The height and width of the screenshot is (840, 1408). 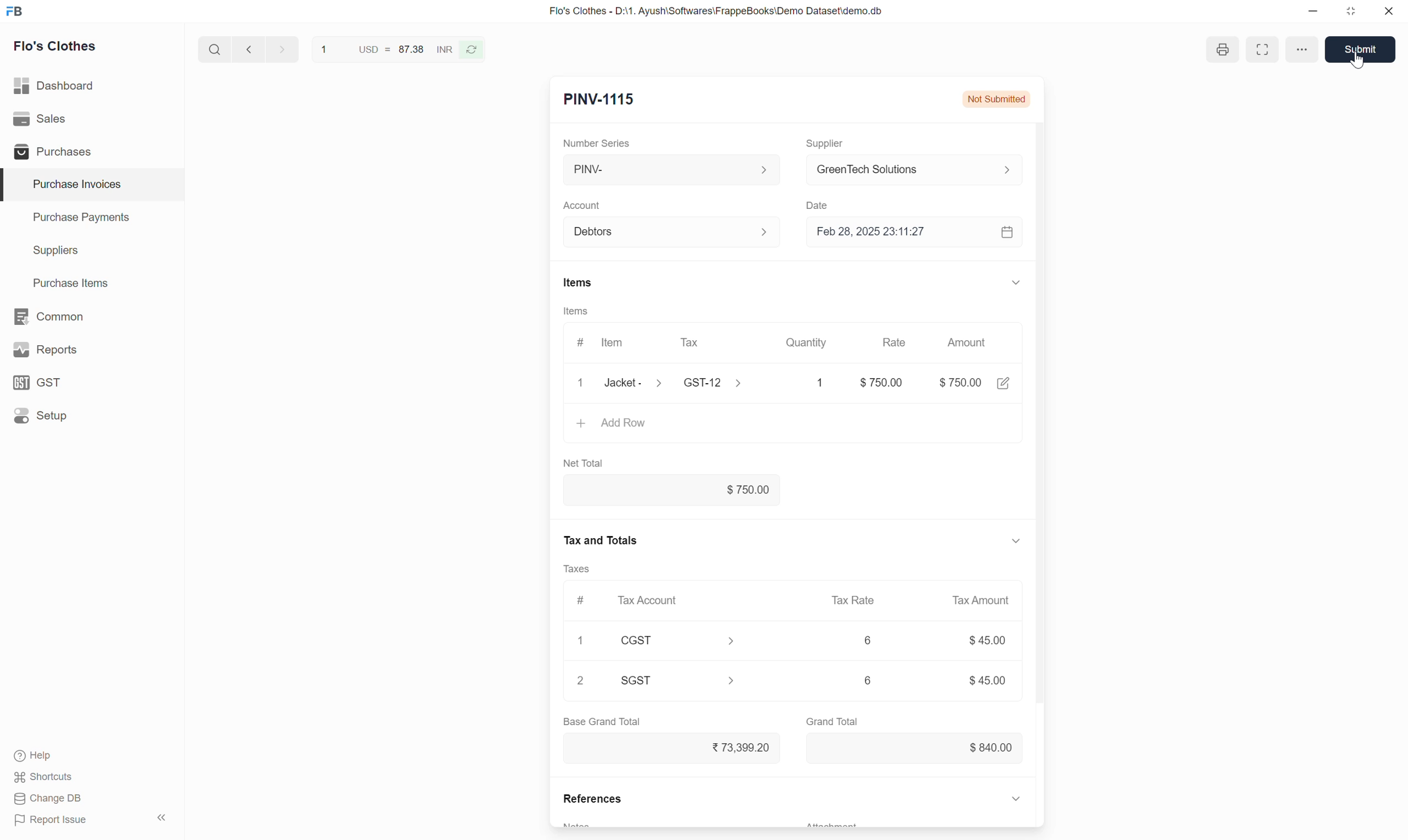 What do you see at coordinates (672, 748) in the screenshot?
I see `10,078.88` at bounding box center [672, 748].